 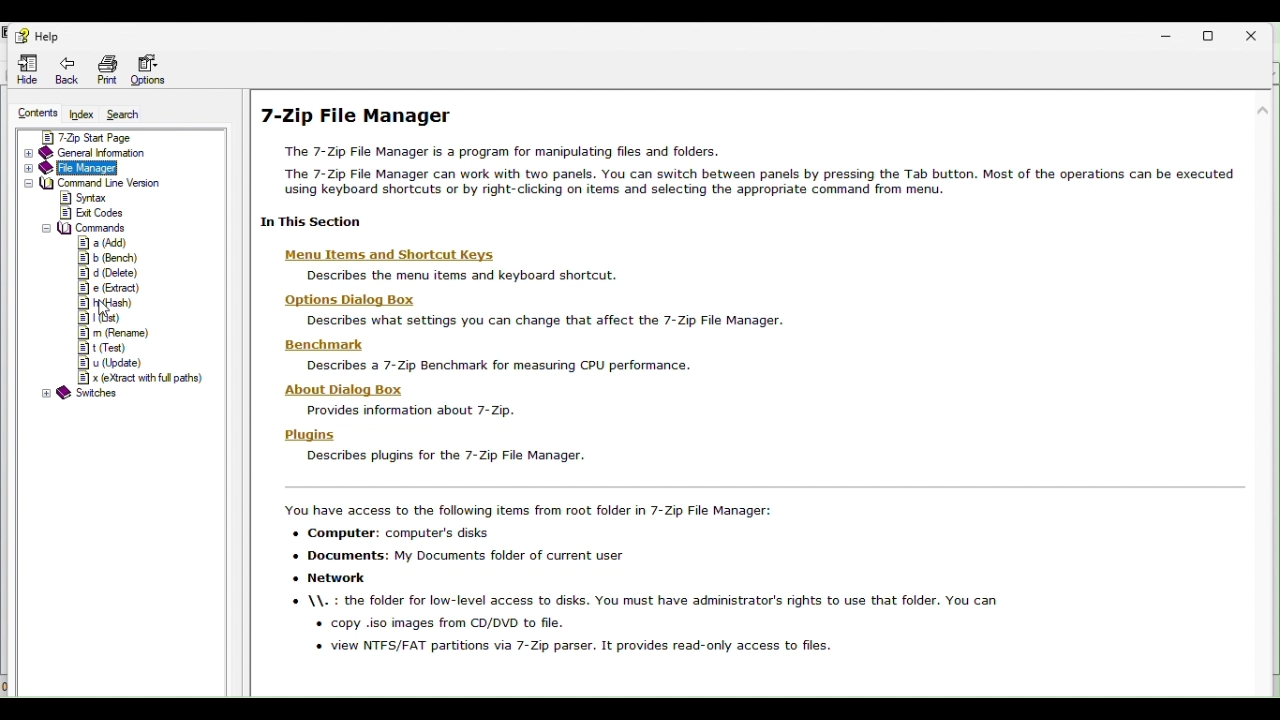 I want to click on print, so click(x=110, y=67).